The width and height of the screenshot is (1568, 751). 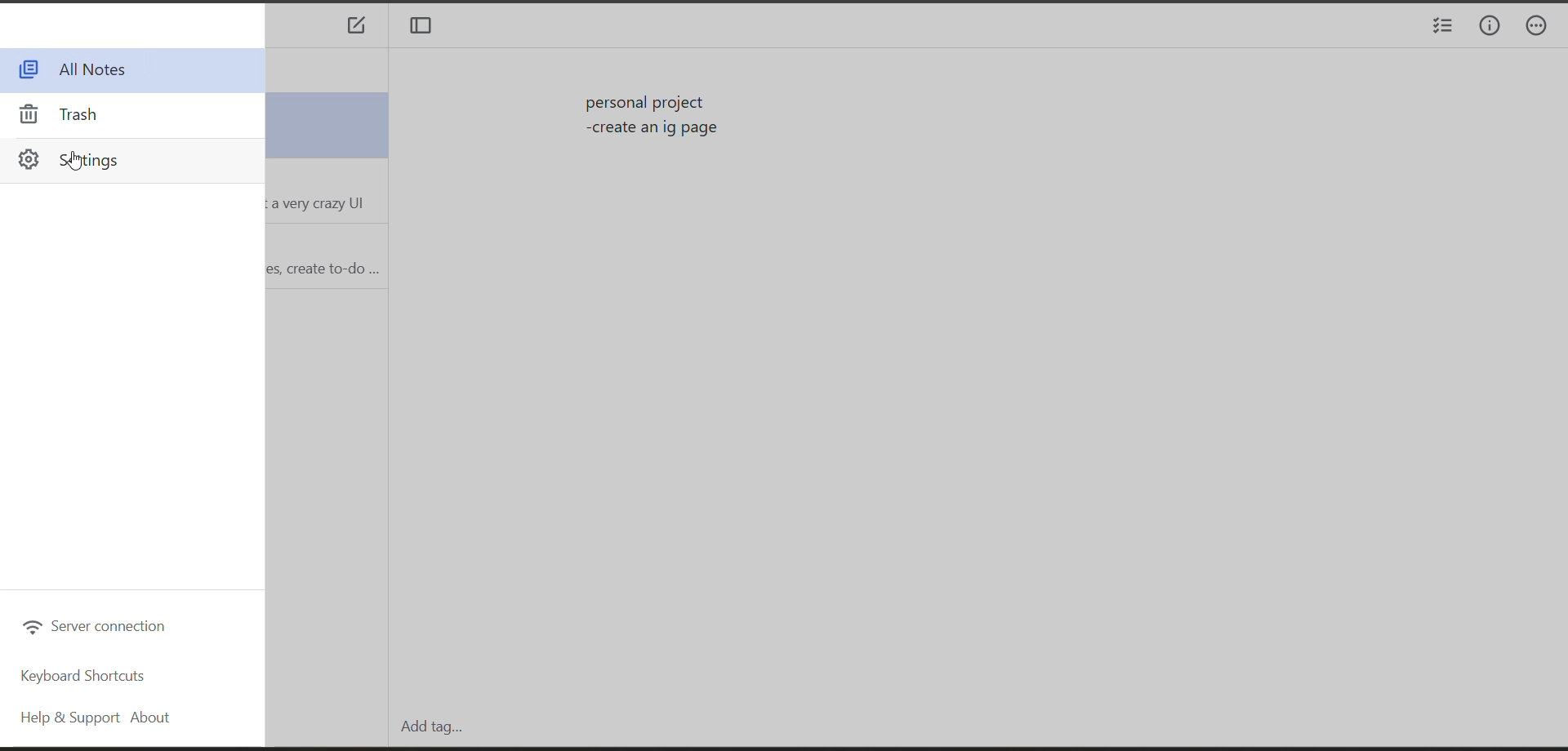 What do you see at coordinates (426, 28) in the screenshot?
I see `toggle focus mode` at bounding box center [426, 28].